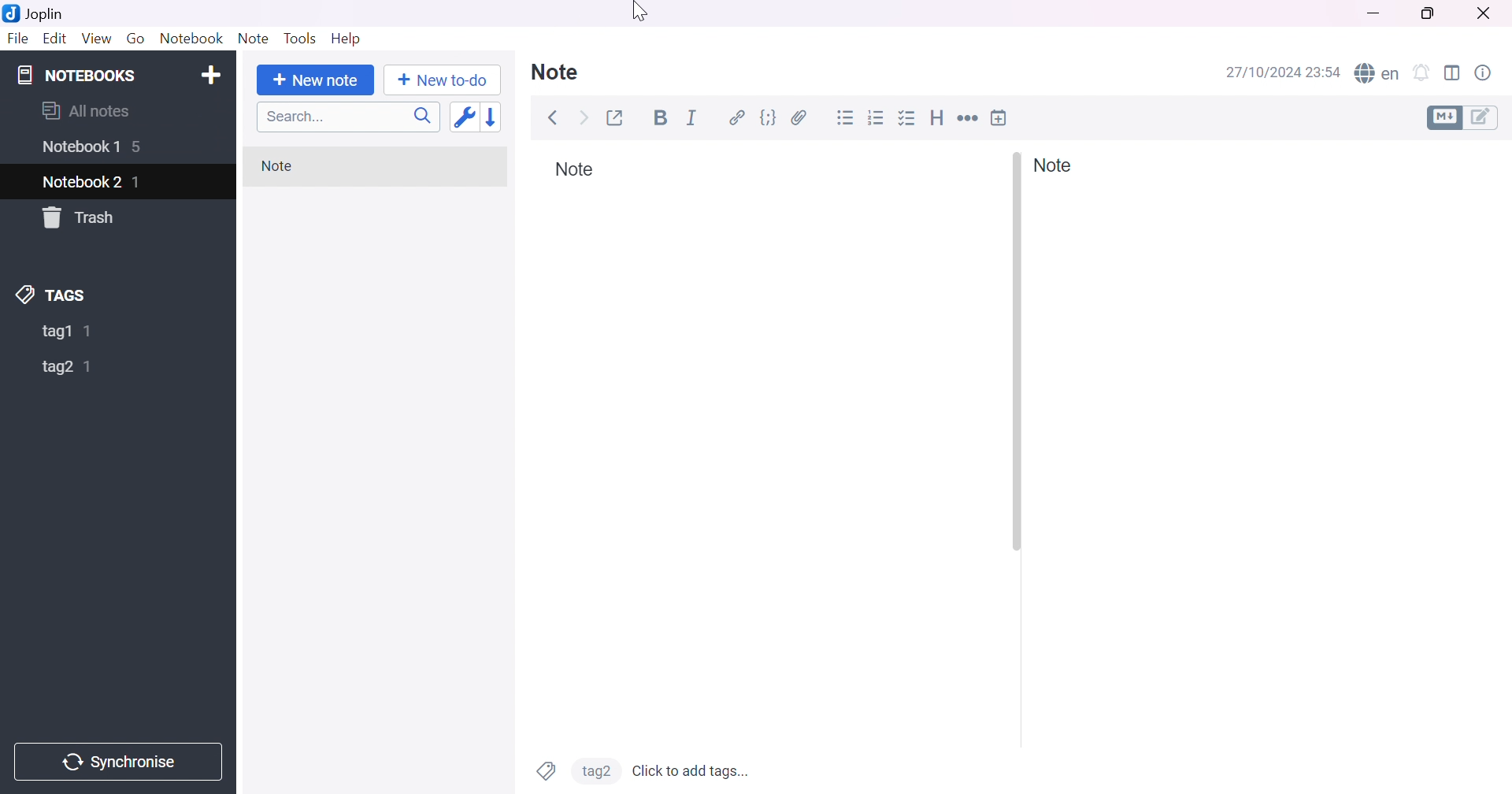 The height and width of the screenshot is (794, 1512). Describe the element at coordinates (139, 146) in the screenshot. I see `6` at that location.